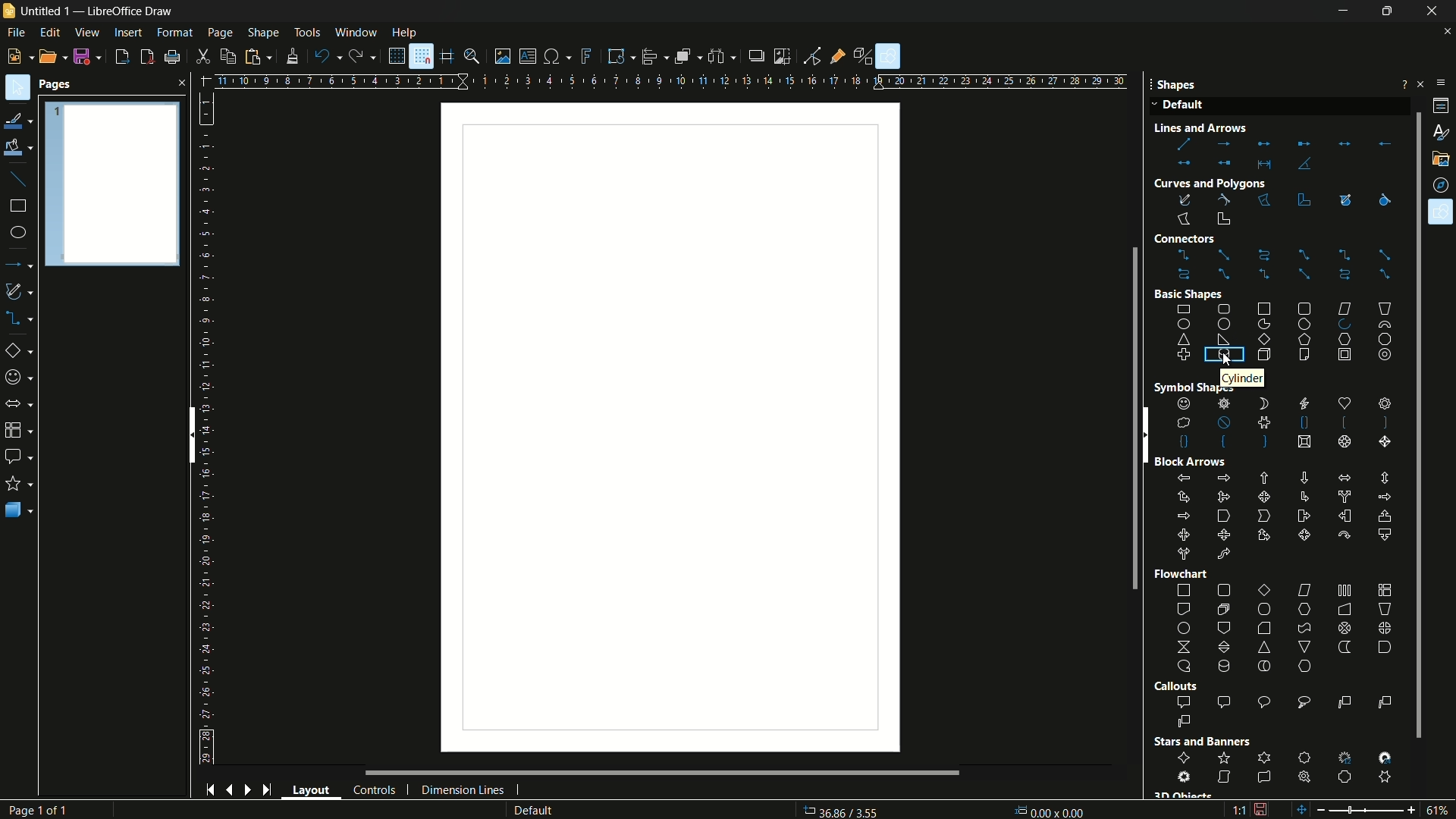 This screenshot has height=819, width=1456. I want to click on open file, so click(51, 56).